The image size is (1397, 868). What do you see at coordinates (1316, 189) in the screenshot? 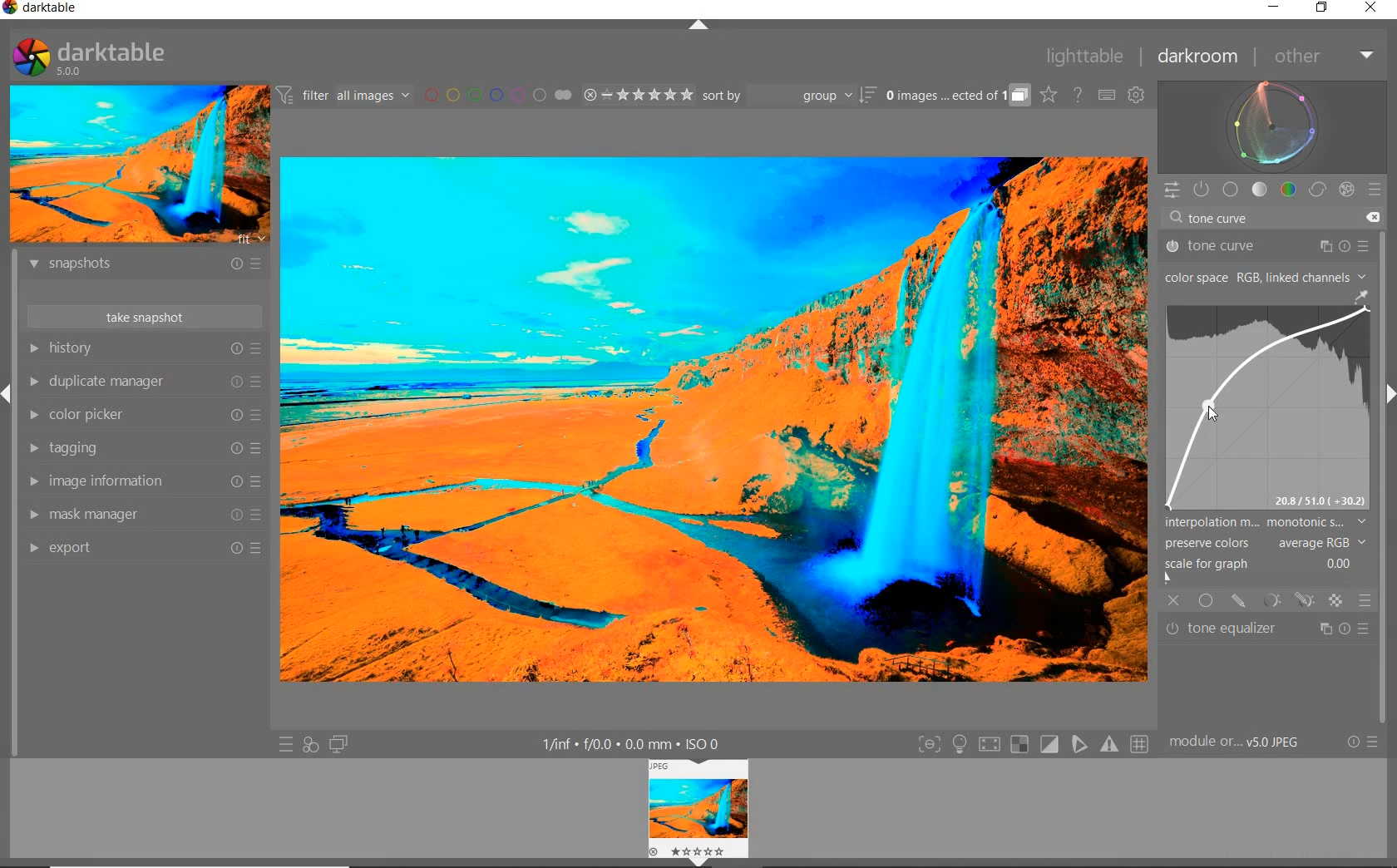
I see `correct` at bounding box center [1316, 189].